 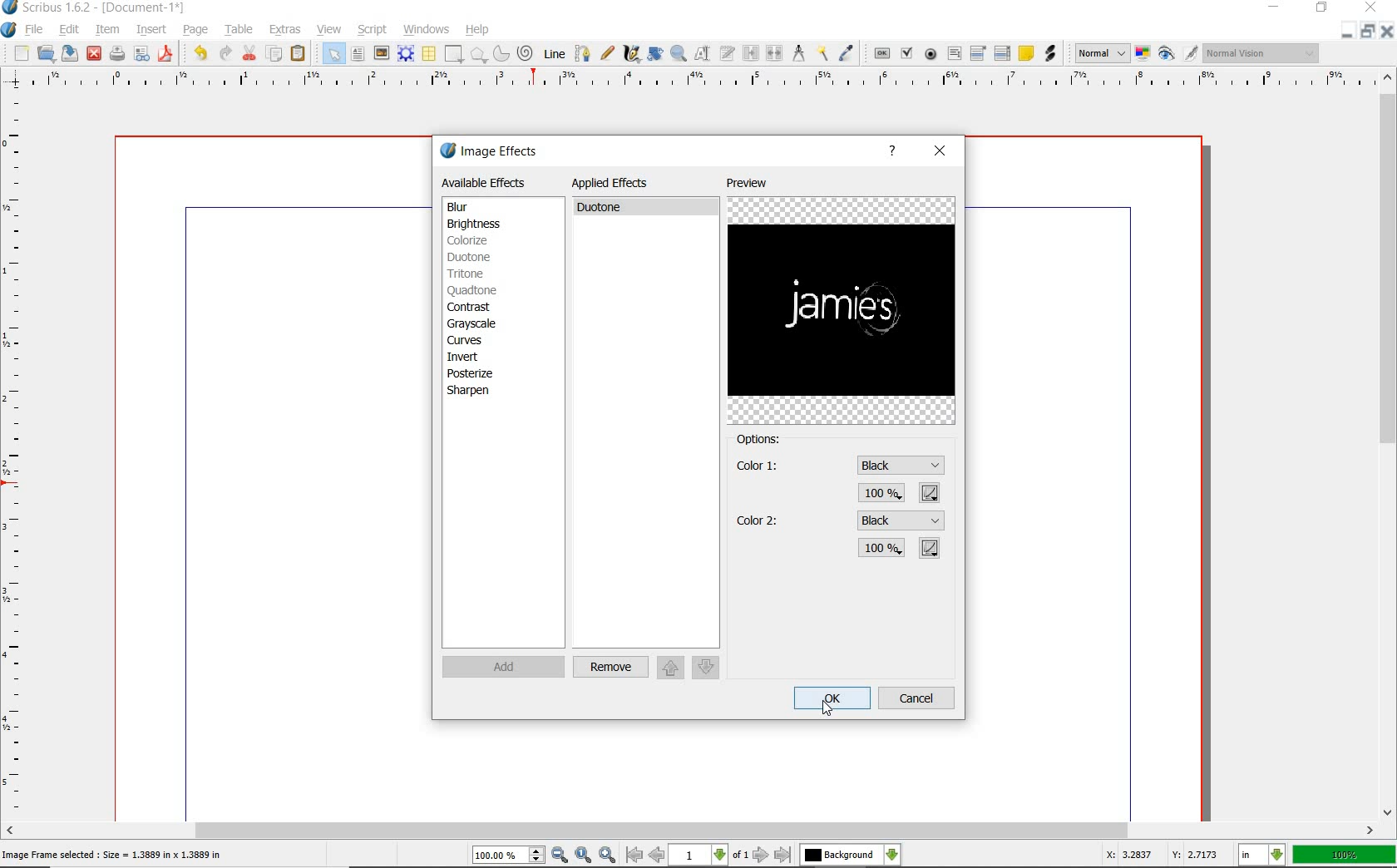 What do you see at coordinates (708, 856) in the screenshot?
I see `move to next or previous page` at bounding box center [708, 856].